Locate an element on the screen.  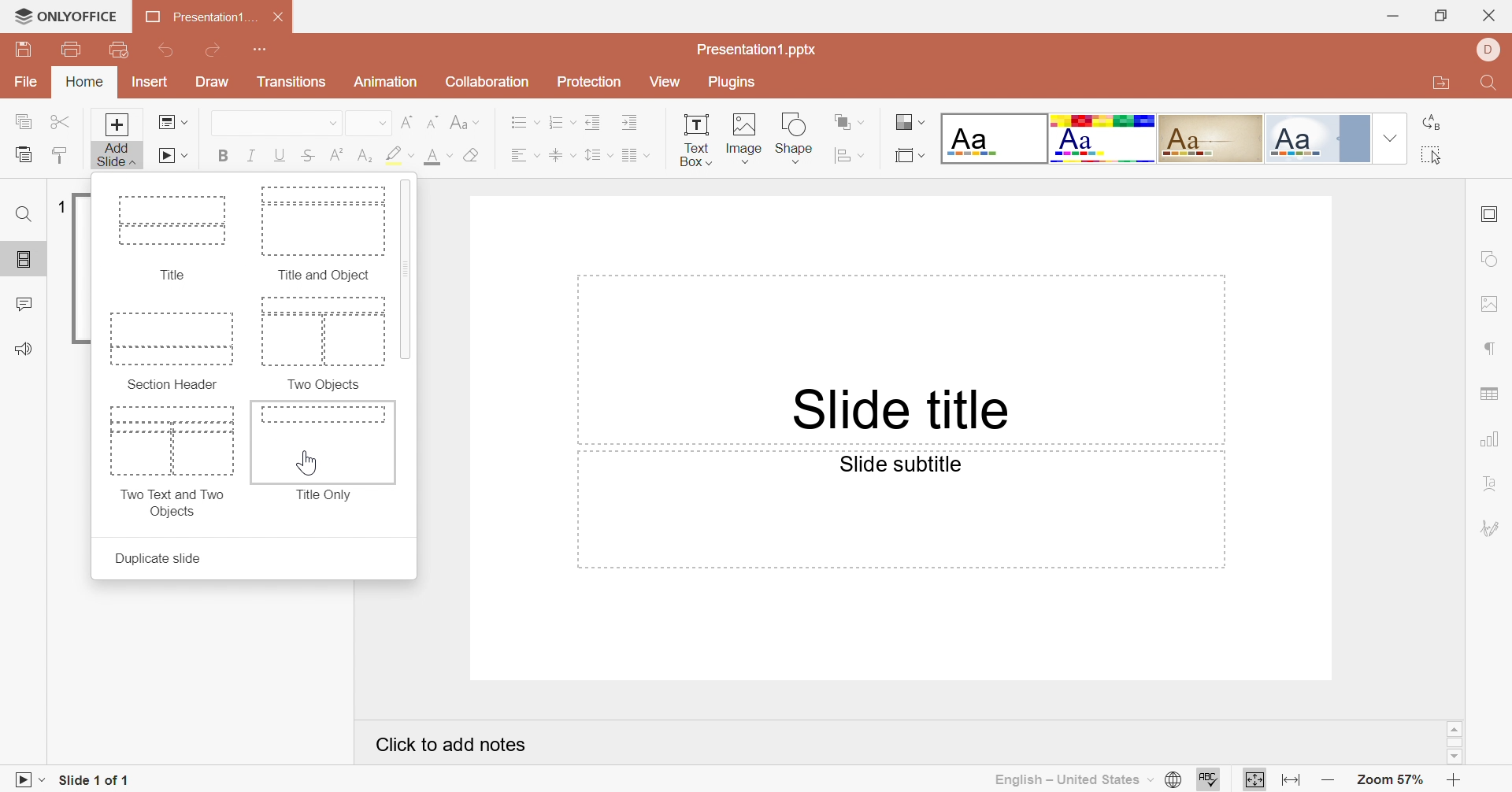
Increase Indent is located at coordinates (632, 123).